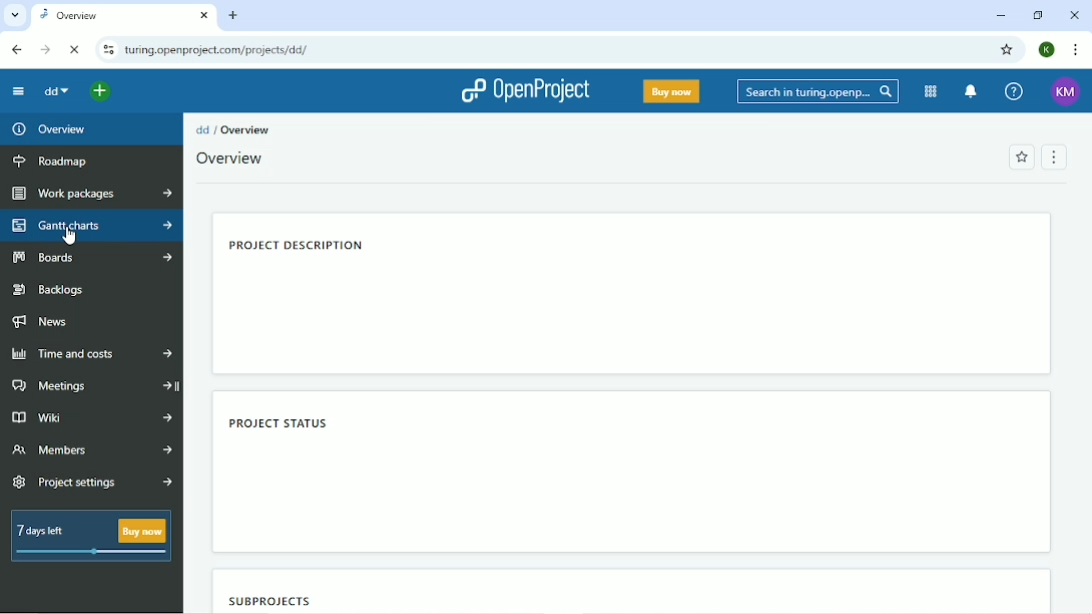 Image resolution: width=1092 pixels, height=614 pixels. Describe the element at coordinates (59, 161) in the screenshot. I see `Roadmap` at that location.